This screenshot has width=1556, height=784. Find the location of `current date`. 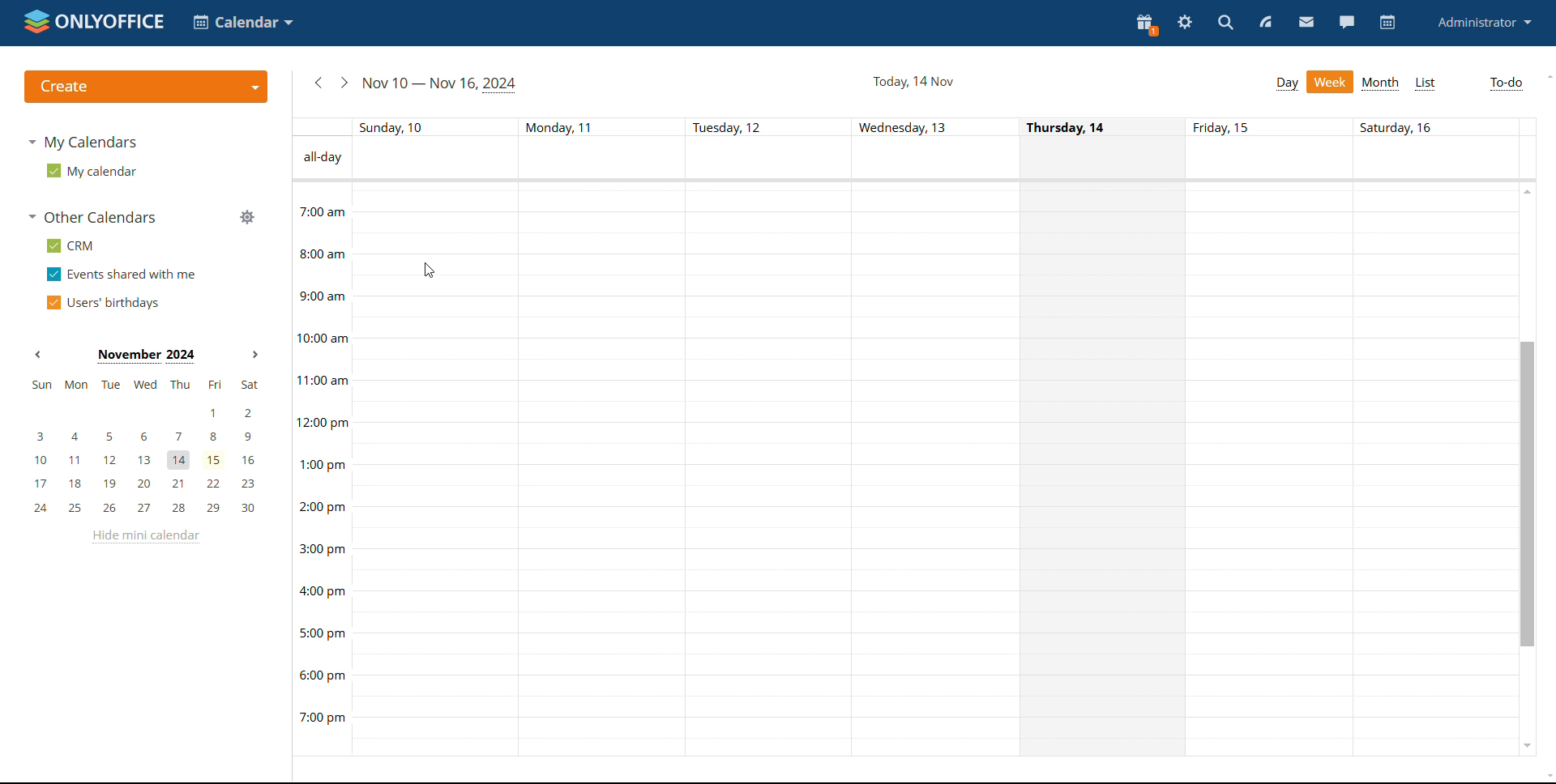

current date is located at coordinates (913, 83).